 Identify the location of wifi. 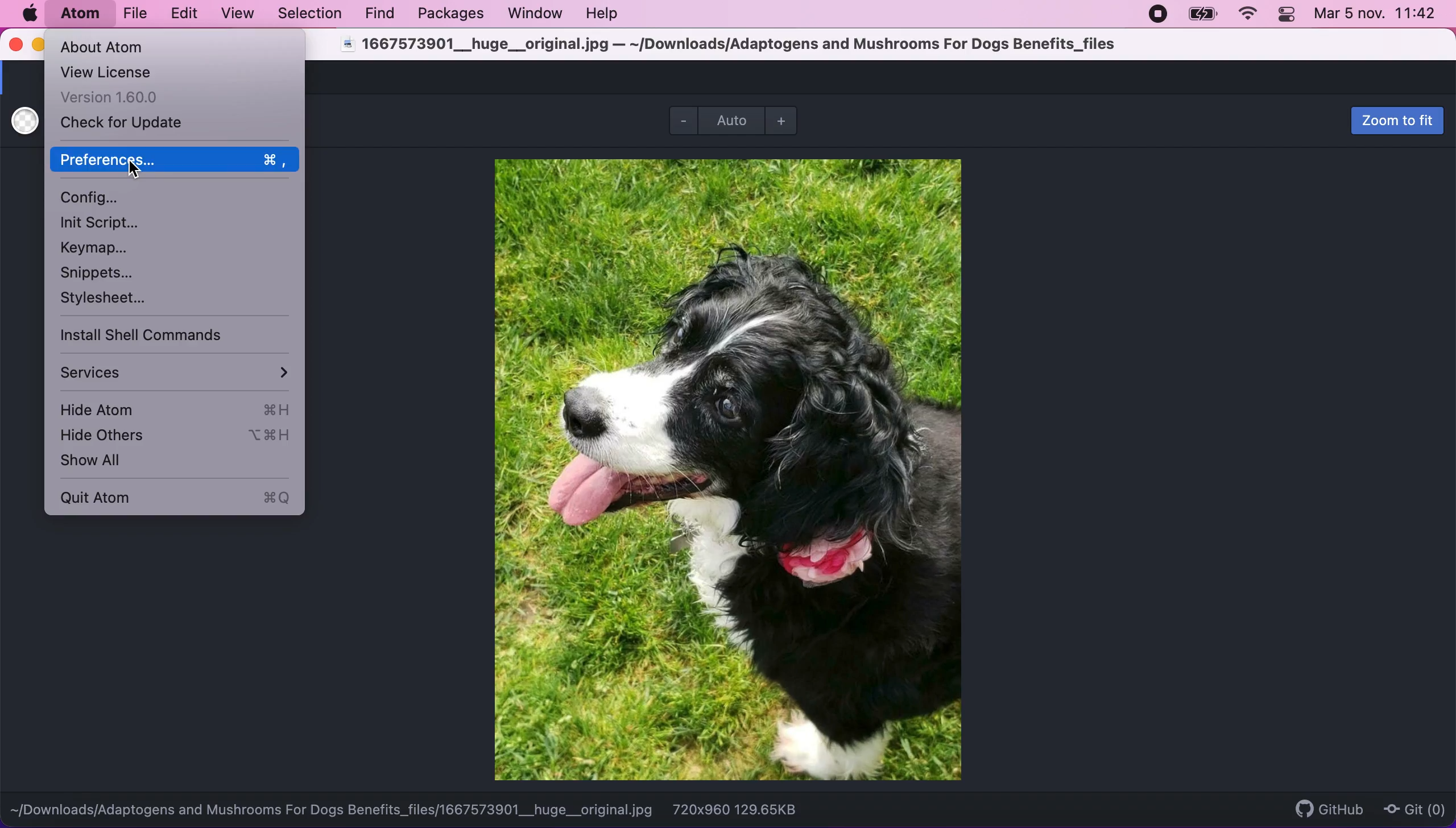
(1248, 15).